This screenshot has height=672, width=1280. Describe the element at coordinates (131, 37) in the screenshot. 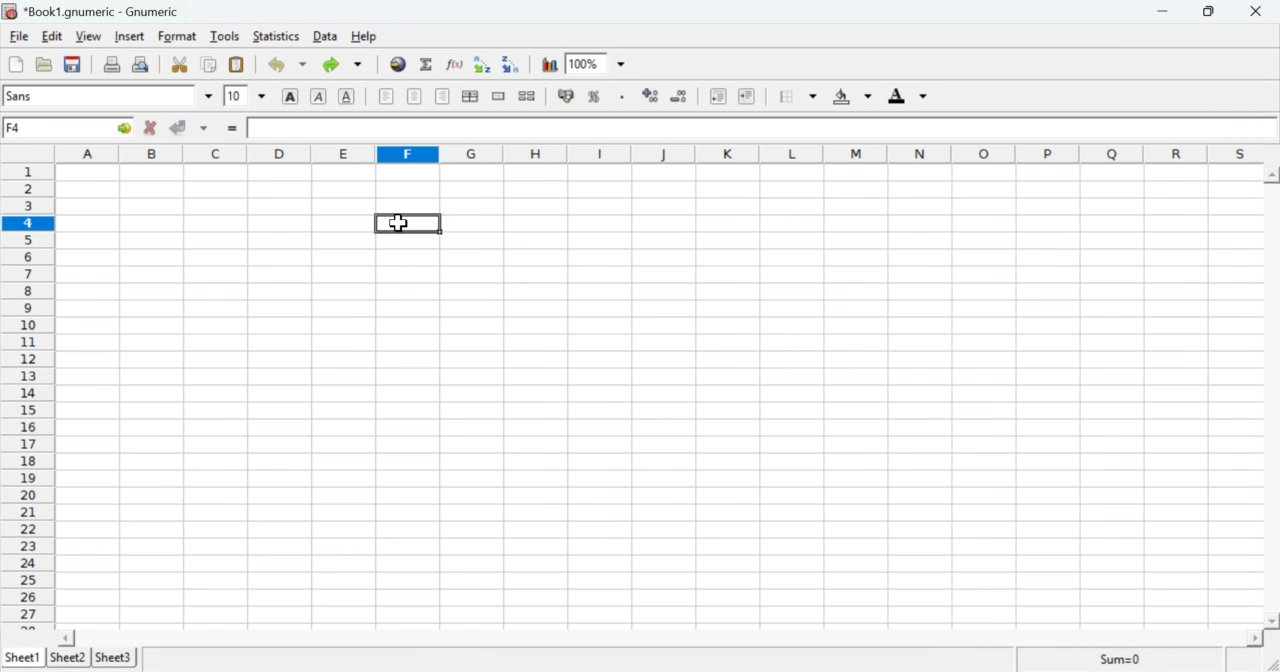

I see `Insert` at that location.